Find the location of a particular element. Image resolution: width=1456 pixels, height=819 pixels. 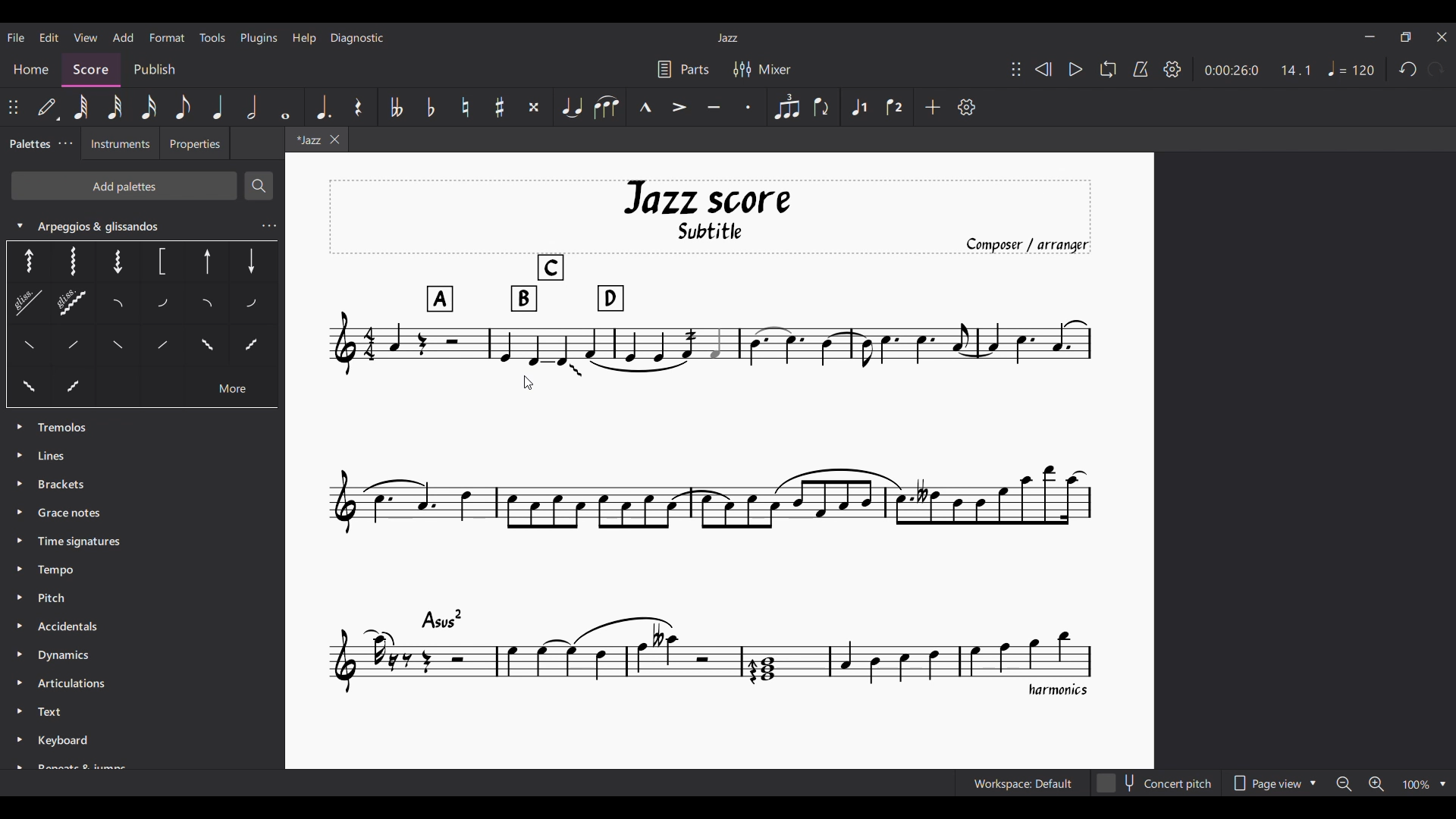

More is located at coordinates (232, 391).